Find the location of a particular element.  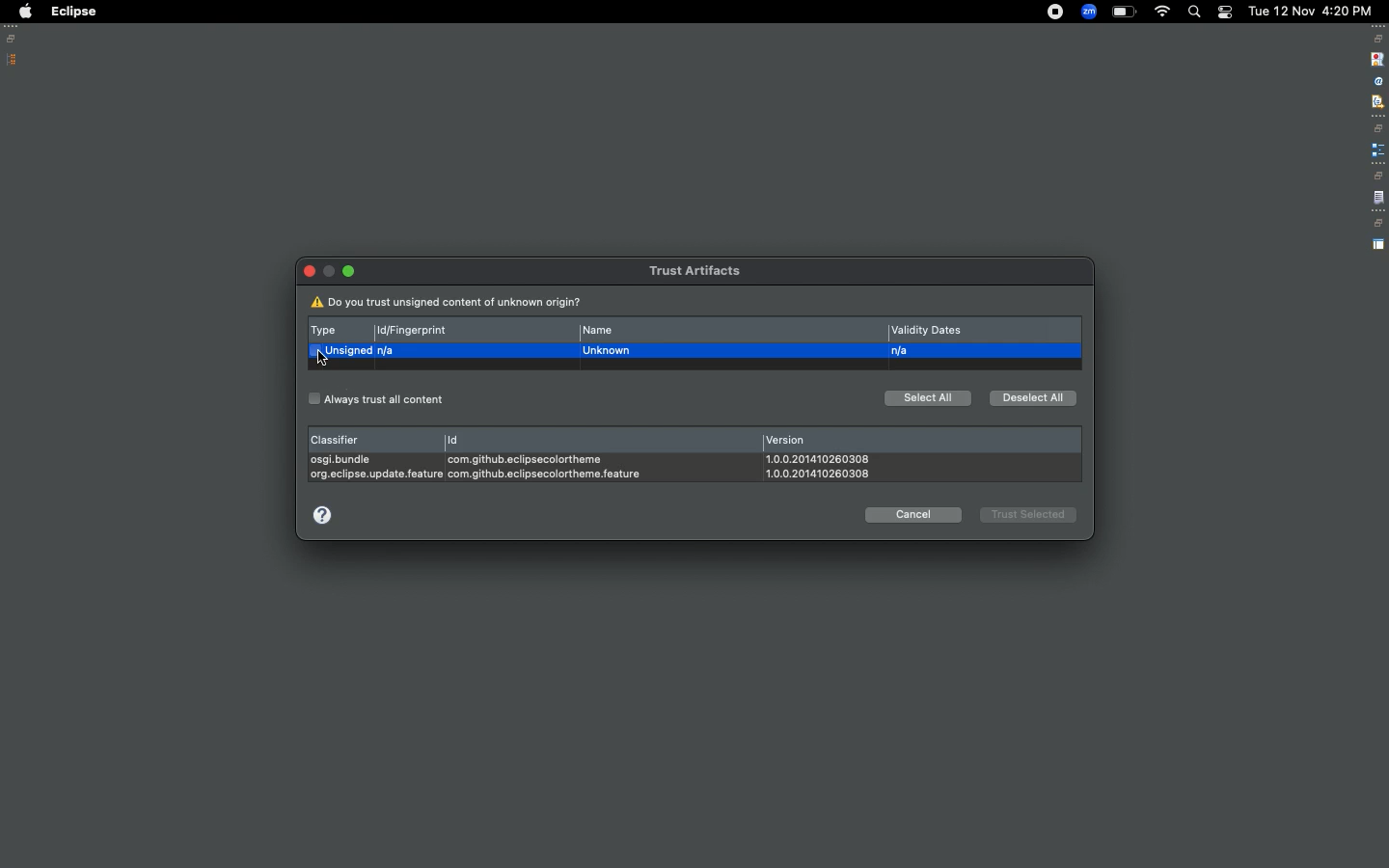

restore is located at coordinates (1378, 39).